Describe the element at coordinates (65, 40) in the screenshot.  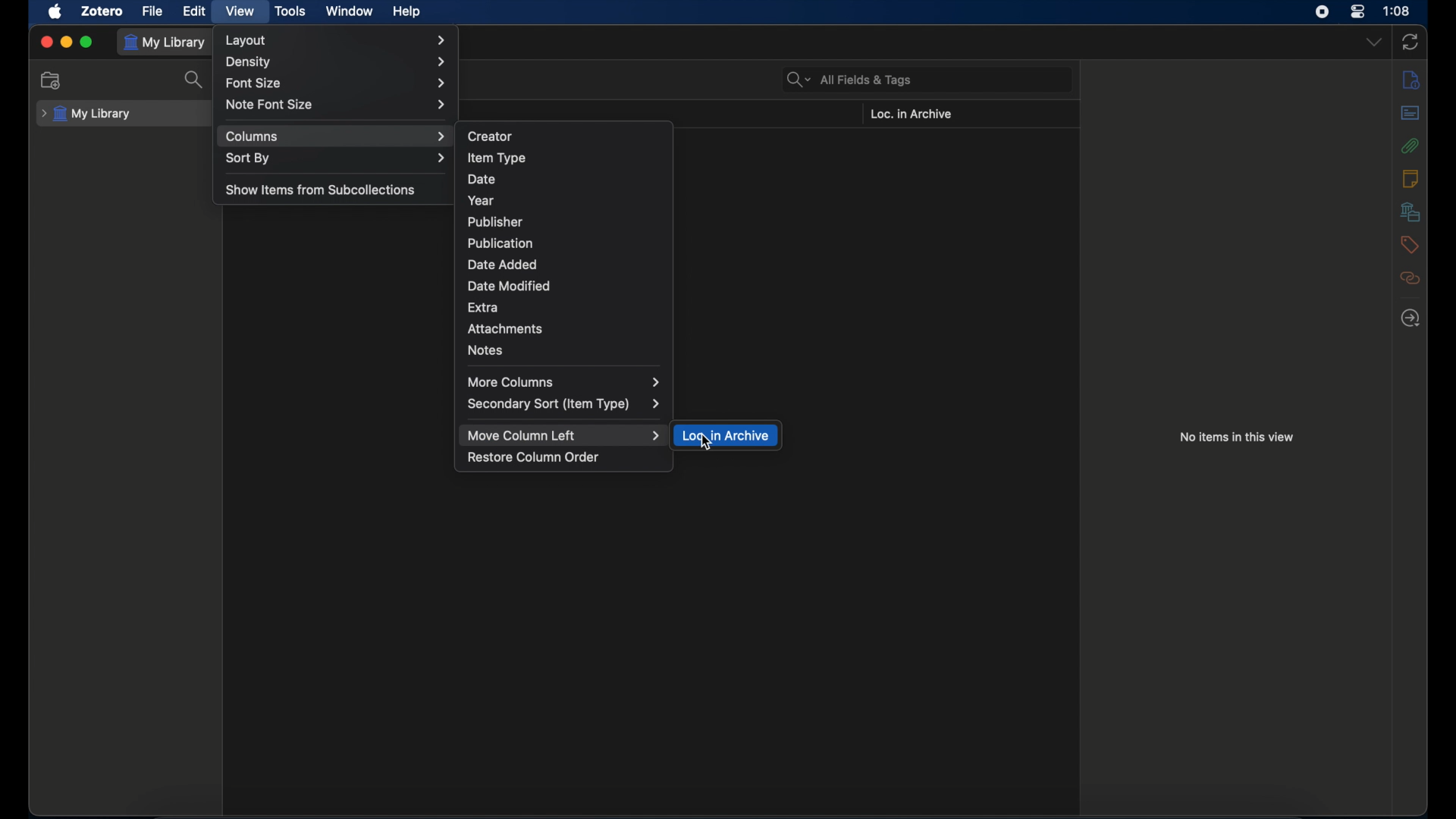
I see `minimize` at that location.